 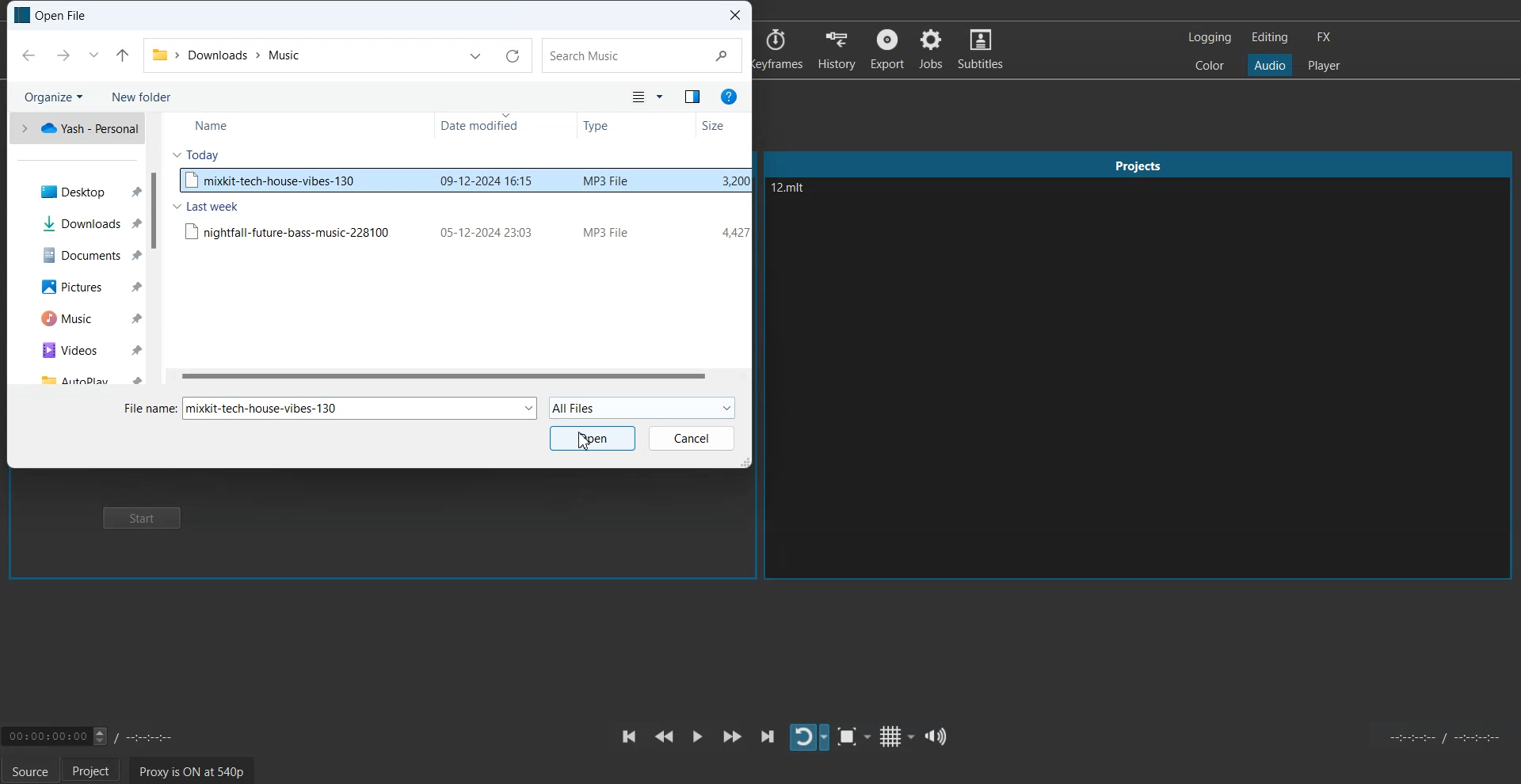 I want to click on Horizontal Scroll Bar, so click(x=456, y=377).